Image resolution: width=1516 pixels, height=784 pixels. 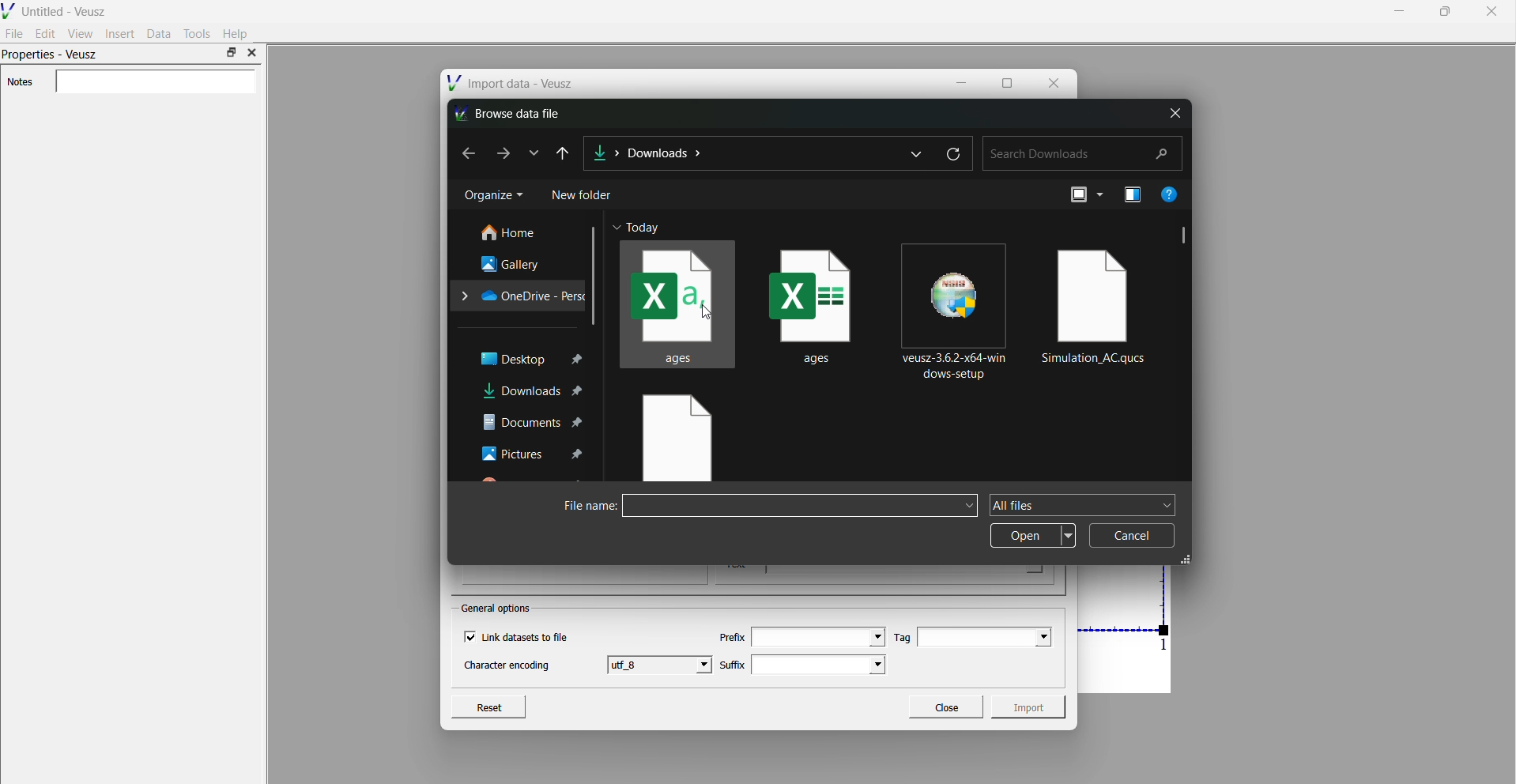 I want to click on Home, so click(x=511, y=233).